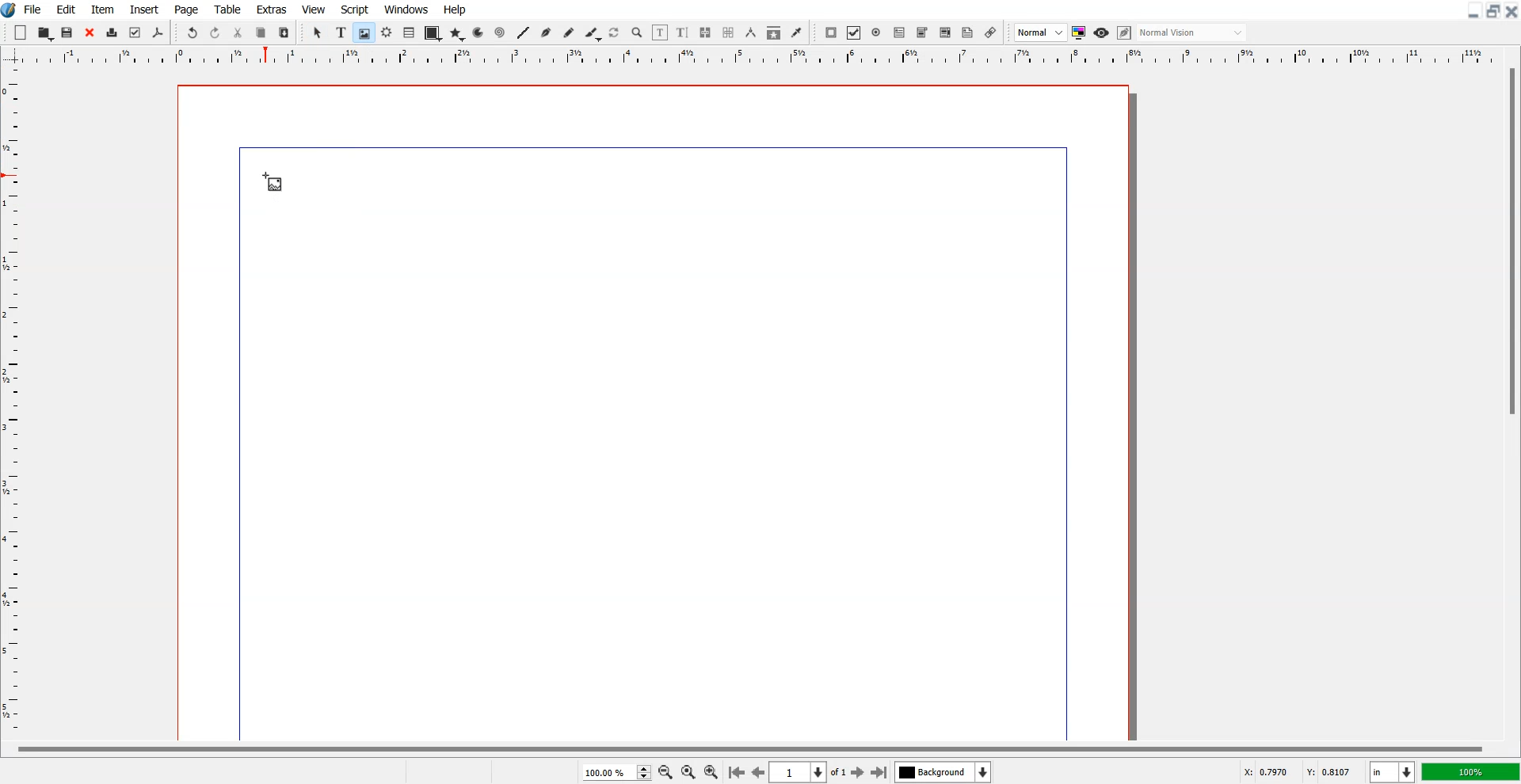 Image resolution: width=1521 pixels, height=784 pixels. Describe the element at coordinates (193, 32) in the screenshot. I see `Undo` at that location.